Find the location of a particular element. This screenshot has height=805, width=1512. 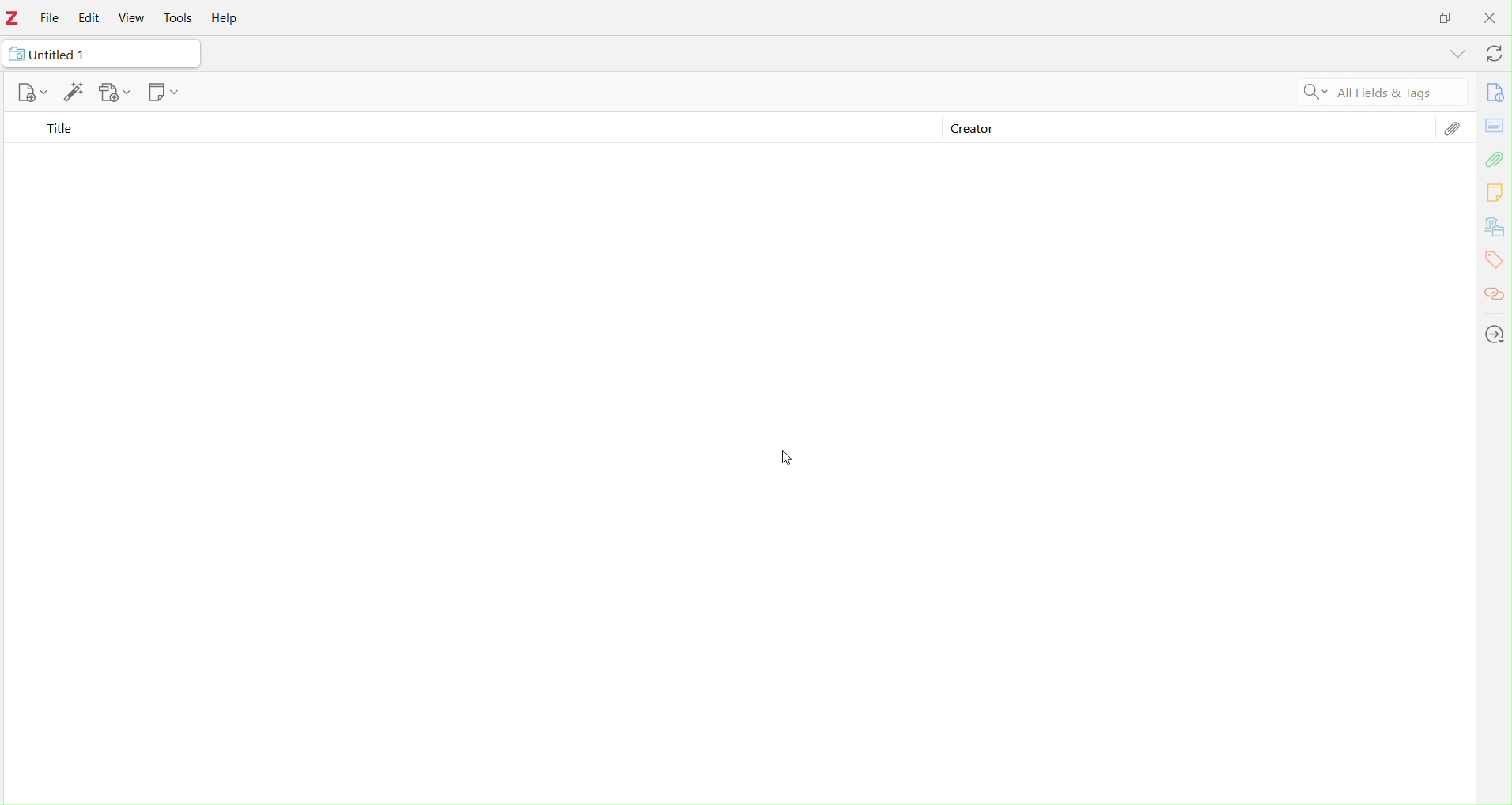

Tags is located at coordinates (1493, 260).